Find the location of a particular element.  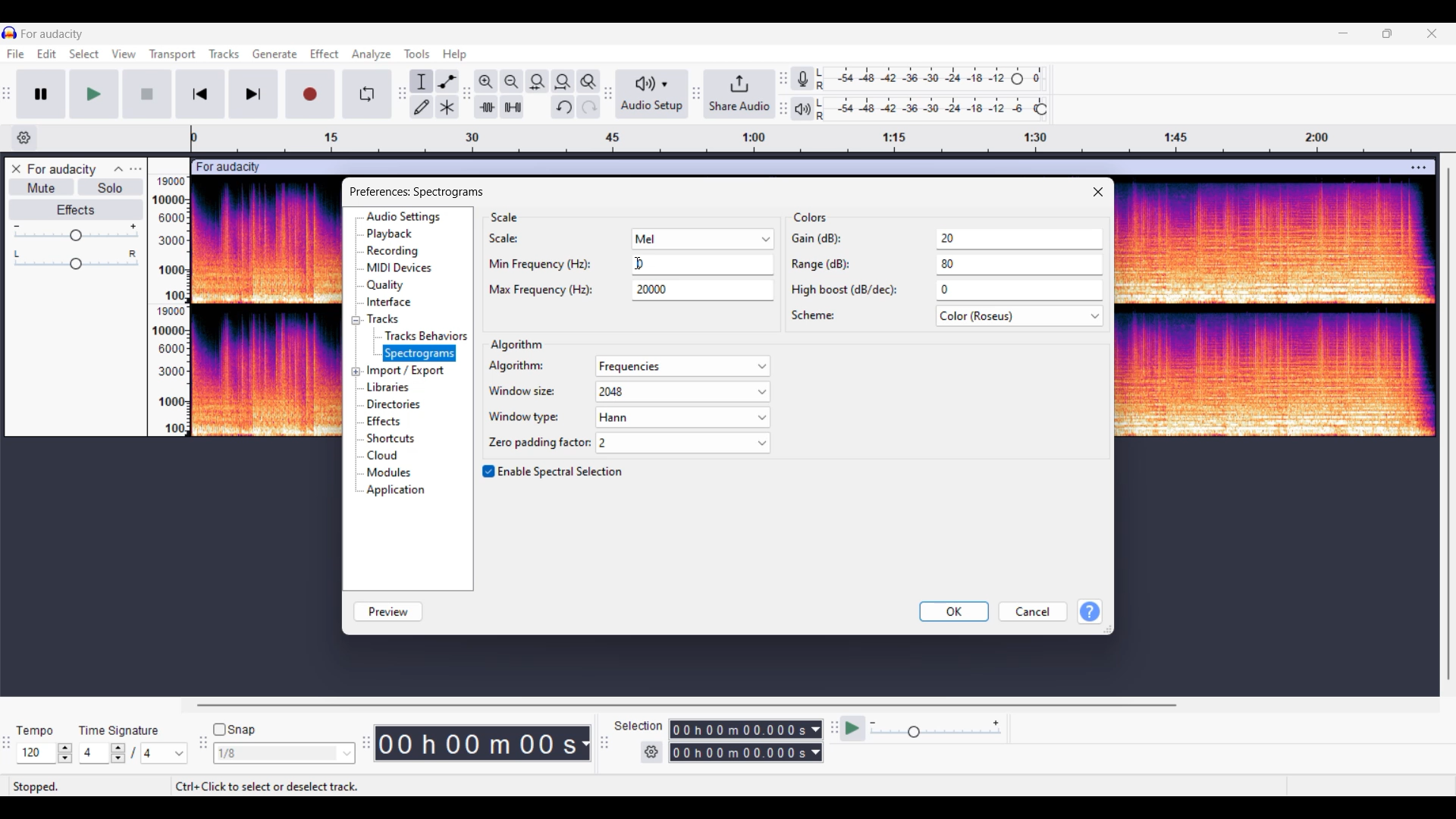

range is located at coordinates (945, 268).